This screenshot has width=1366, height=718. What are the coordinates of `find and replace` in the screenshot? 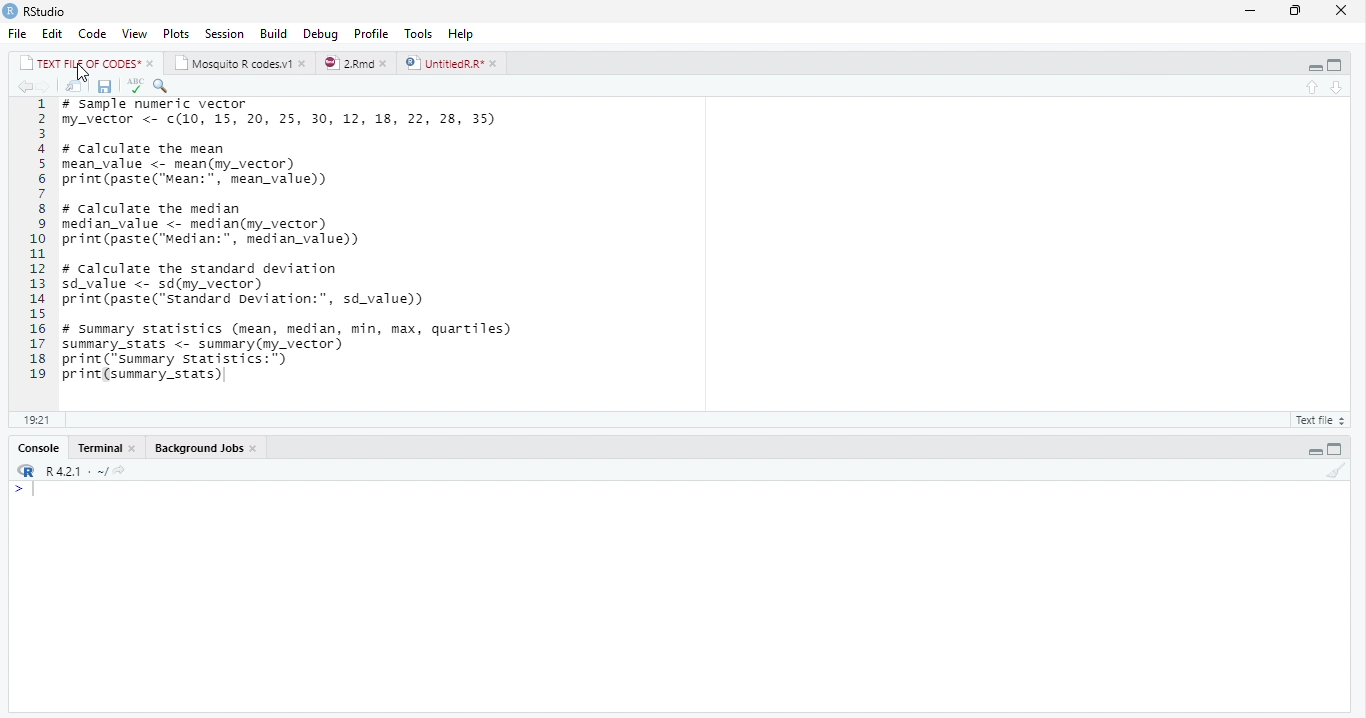 It's located at (161, 86).